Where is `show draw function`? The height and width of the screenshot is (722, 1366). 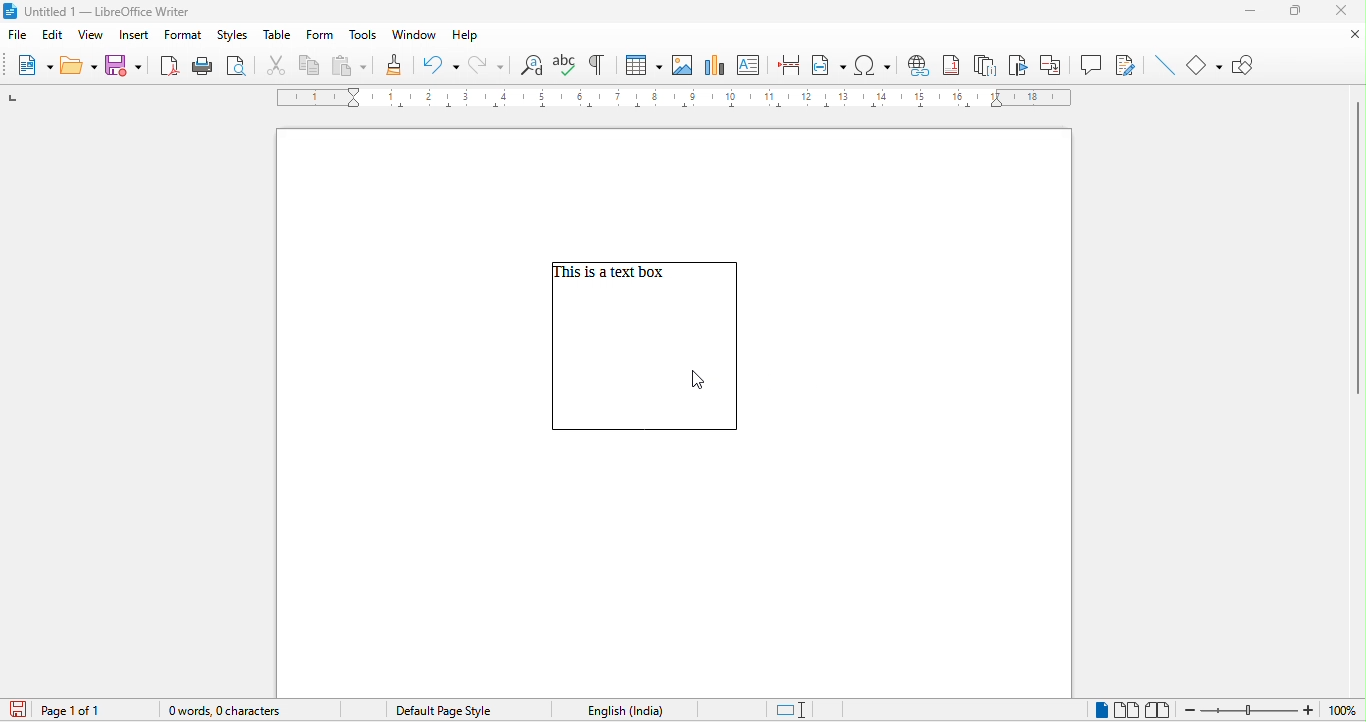
show draw function is located at coordinates (1245, 62).